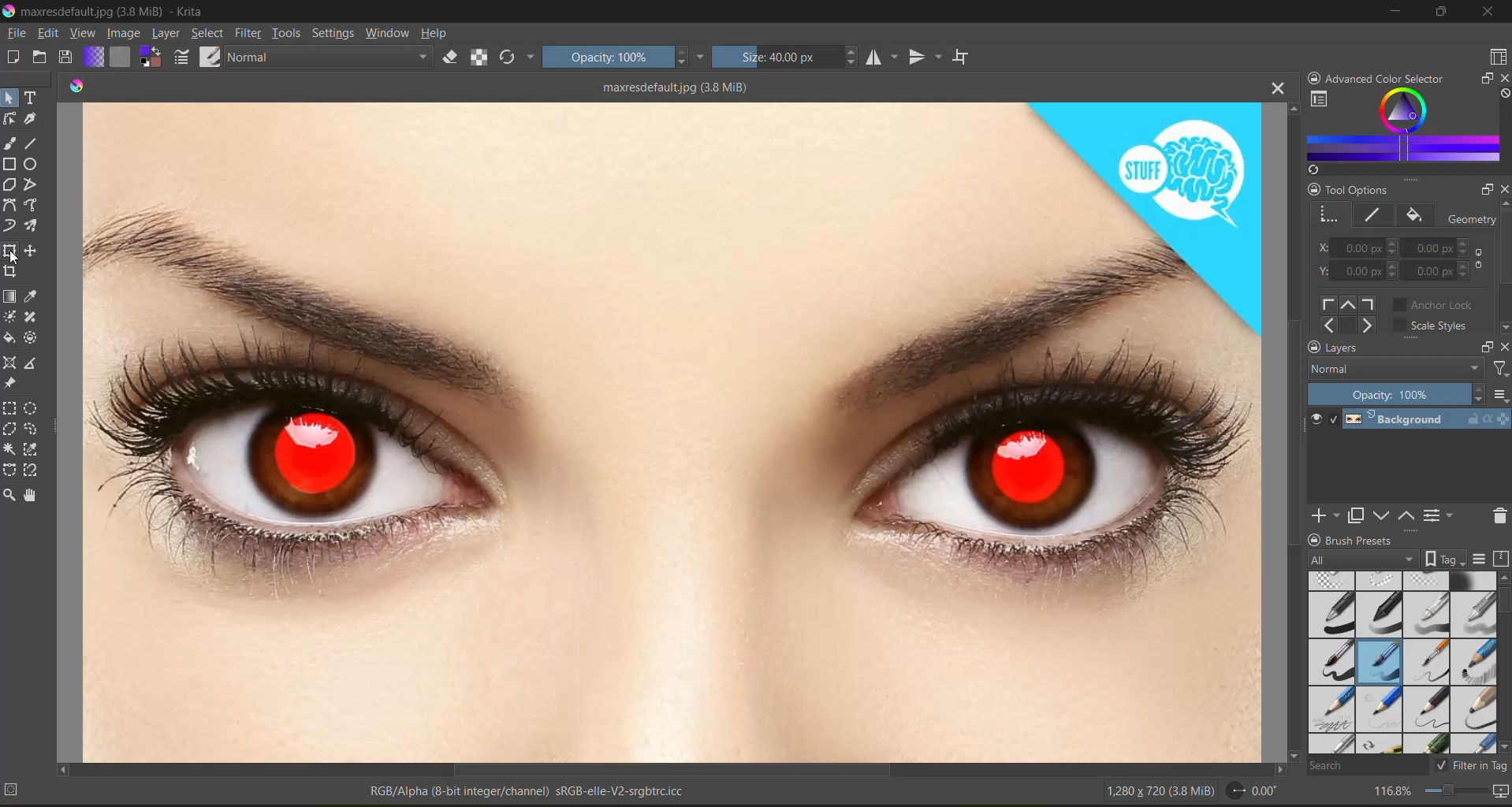  Describe the element at coordinates (1394, 369) in the screenshot. I see `normal` at that location.